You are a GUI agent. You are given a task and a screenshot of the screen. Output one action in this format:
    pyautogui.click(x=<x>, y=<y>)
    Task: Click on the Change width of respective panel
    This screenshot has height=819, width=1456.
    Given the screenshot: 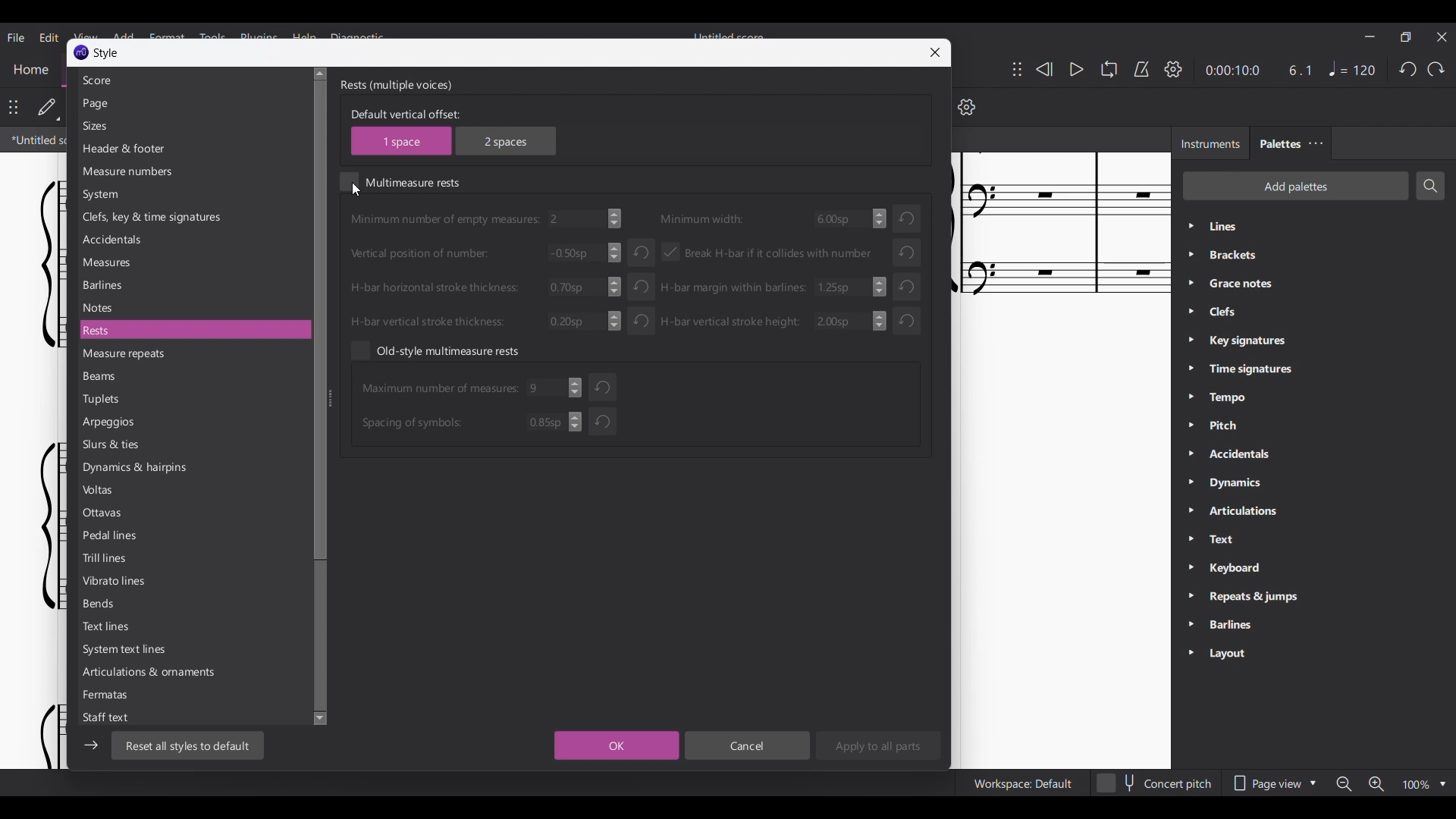 What is the action you would take?
    pyautogui.click(x=331, y=381)
    